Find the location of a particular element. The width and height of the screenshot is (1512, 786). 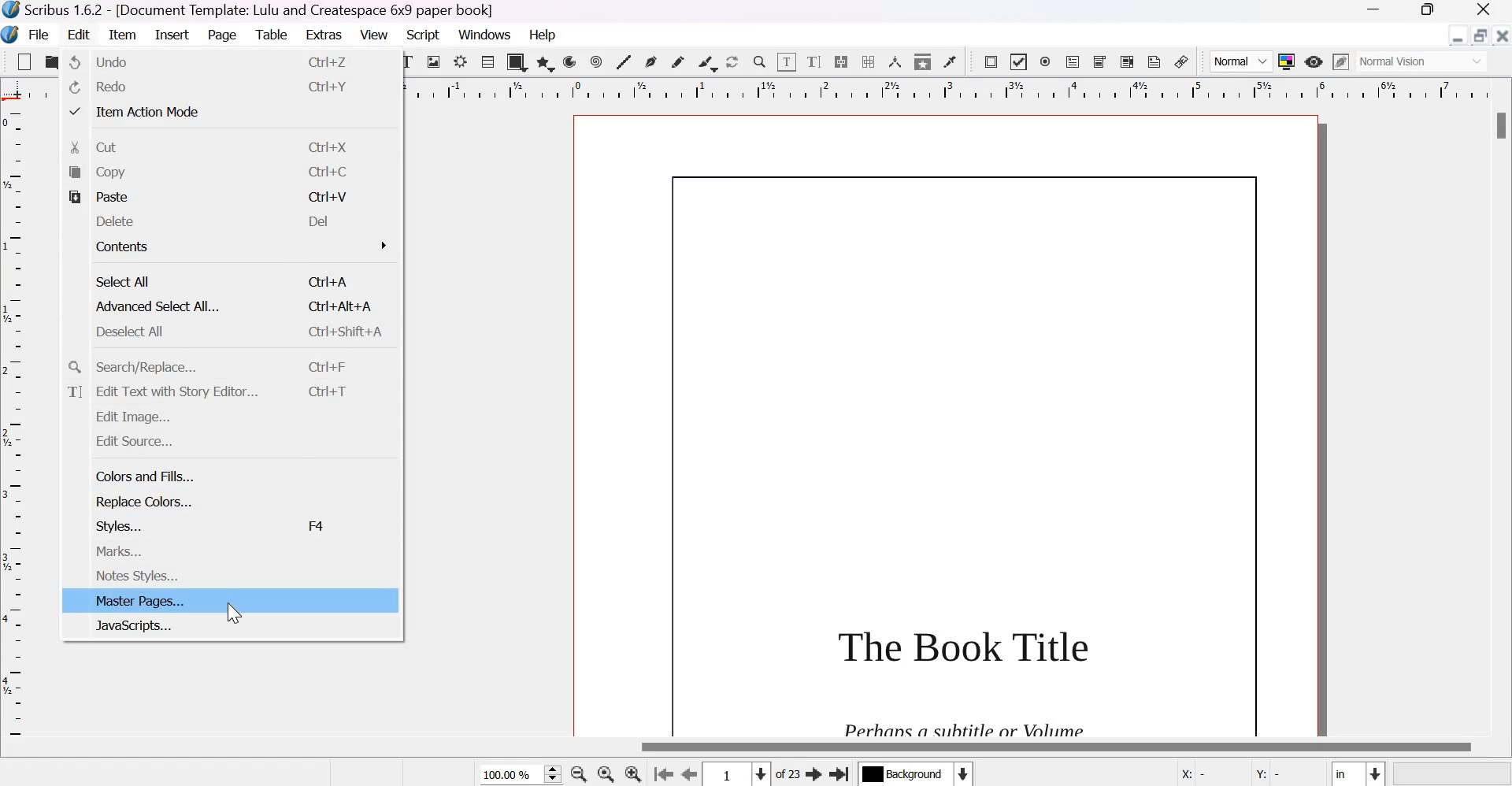

page is located at coordinates (946, 425).